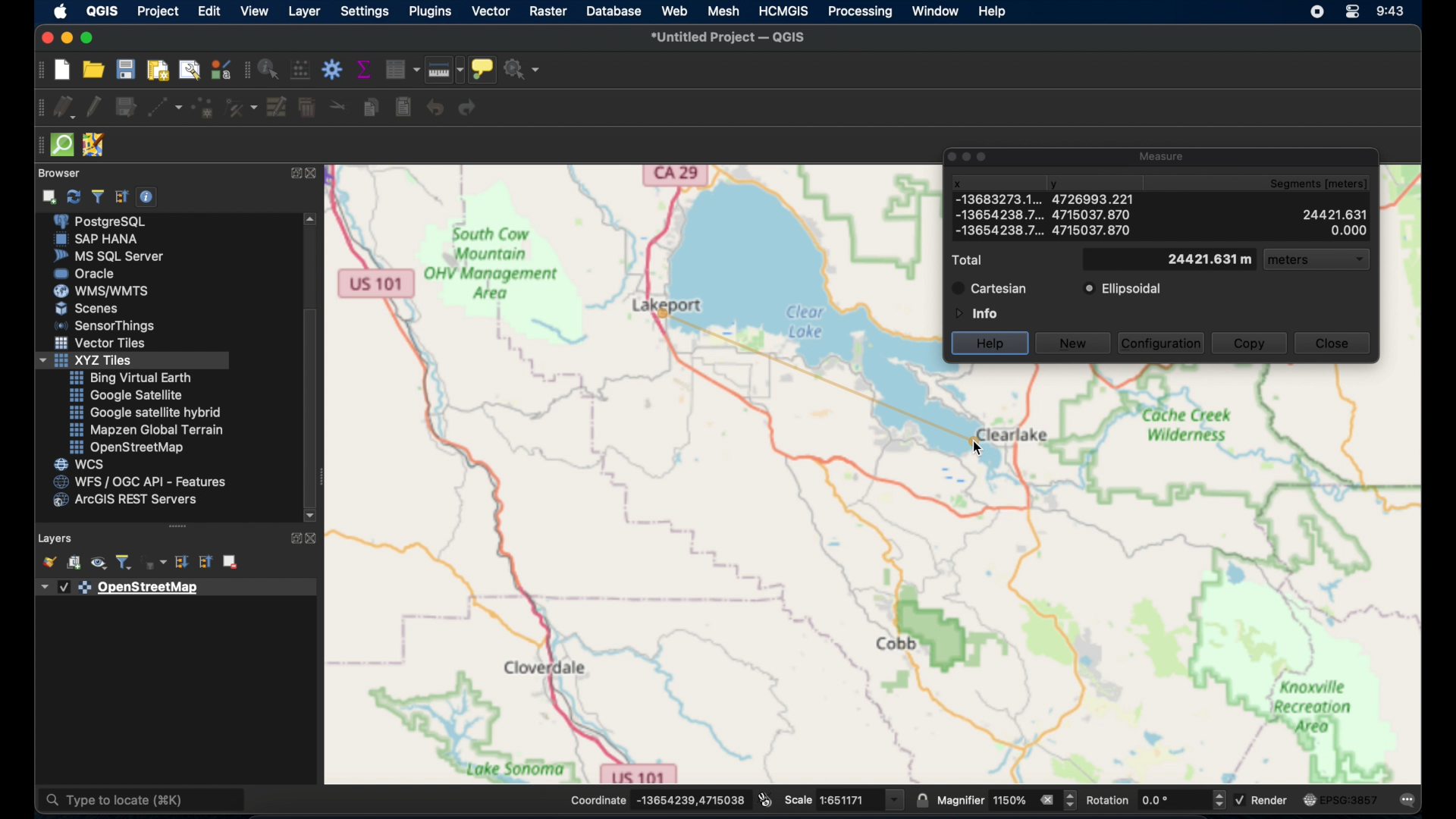 Image resolution: width=1456 pixels, height=819 pixels. I want to click on screen recorder icon, so click(1316, 12).